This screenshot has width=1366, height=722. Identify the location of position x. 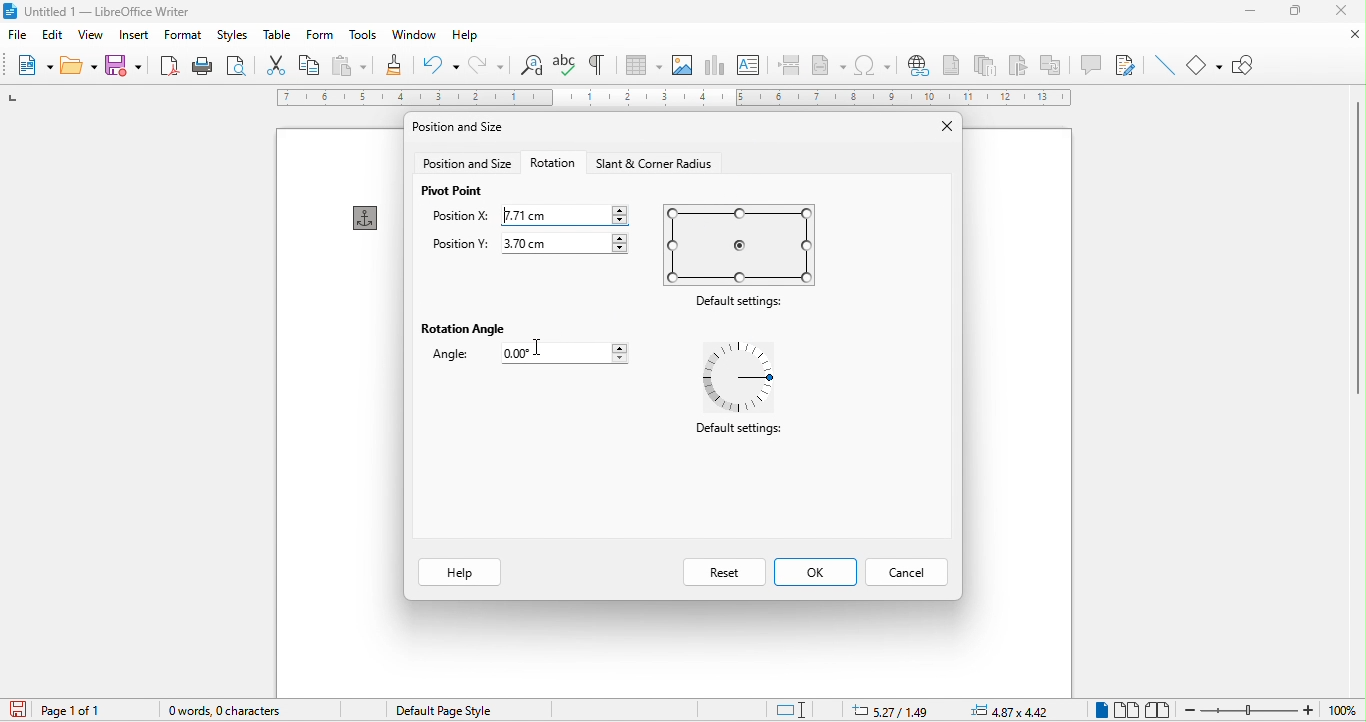
(454, 218).